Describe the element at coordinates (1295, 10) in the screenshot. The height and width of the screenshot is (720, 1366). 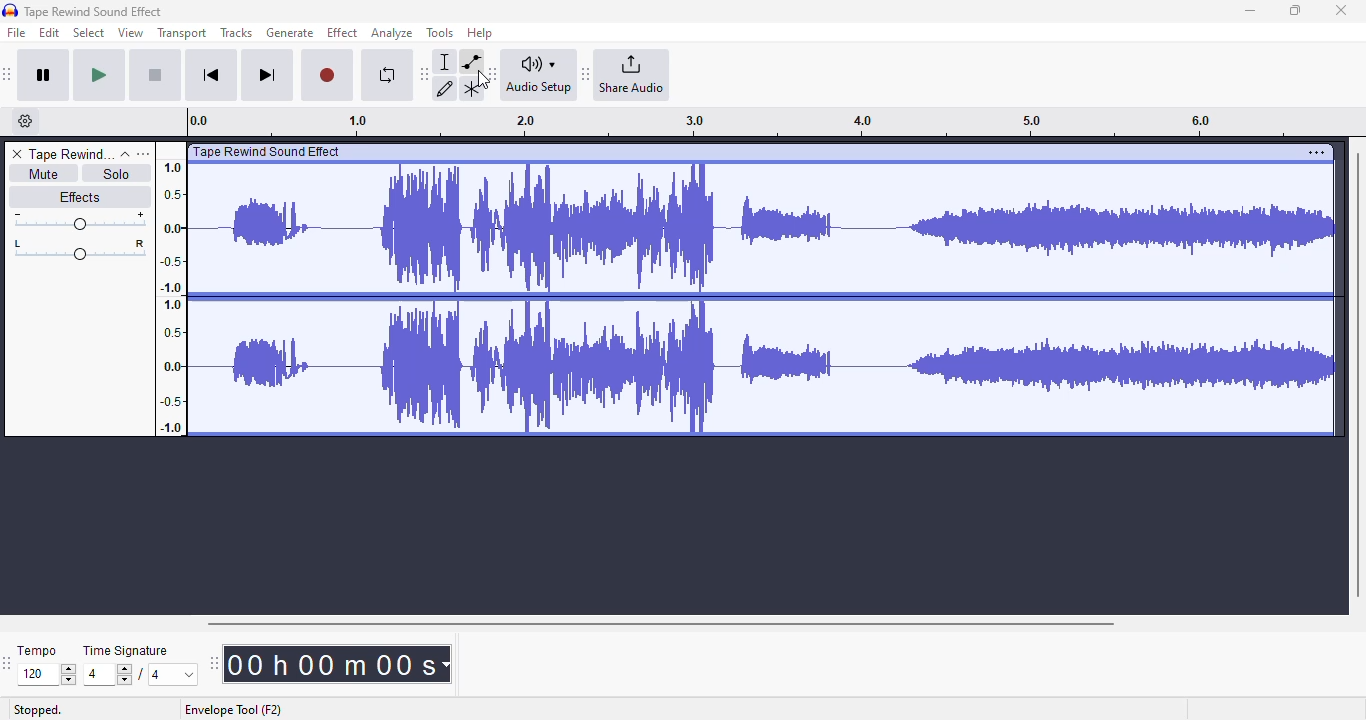
I see `maximize` at that location.